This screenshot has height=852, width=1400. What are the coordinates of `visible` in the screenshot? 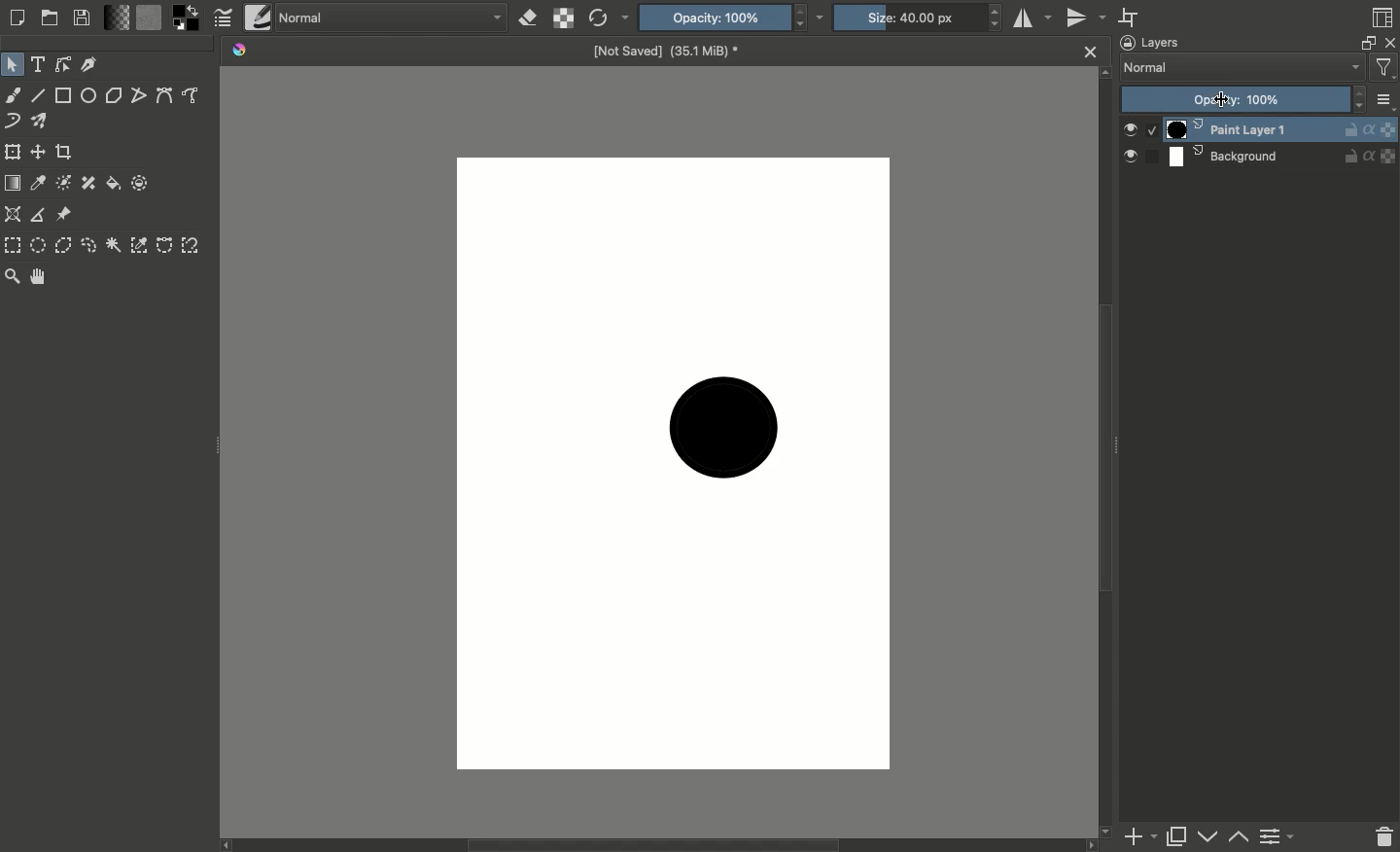 It's located at (1131, 157).